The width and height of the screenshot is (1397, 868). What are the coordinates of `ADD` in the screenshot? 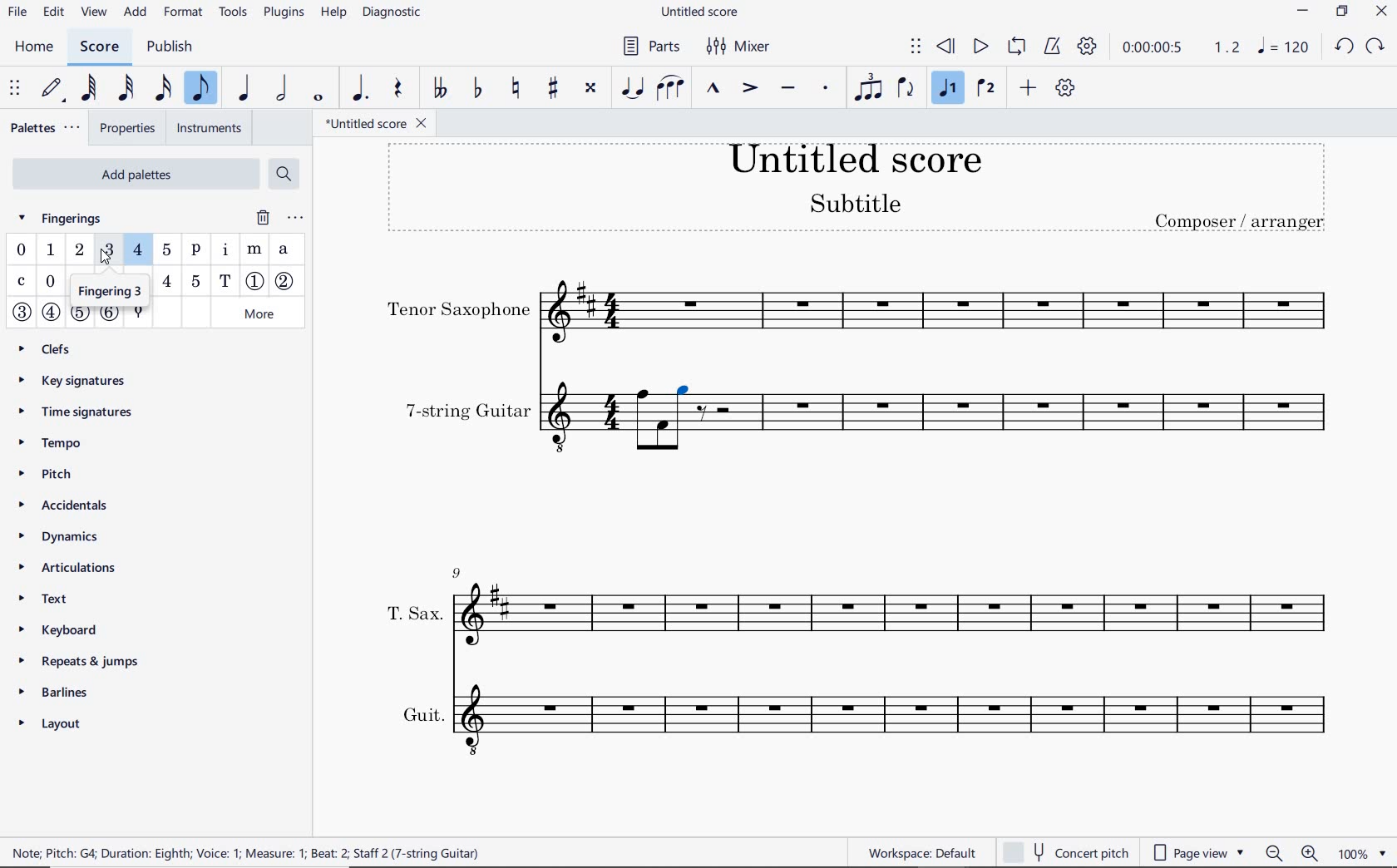 It's located at (137, 12).